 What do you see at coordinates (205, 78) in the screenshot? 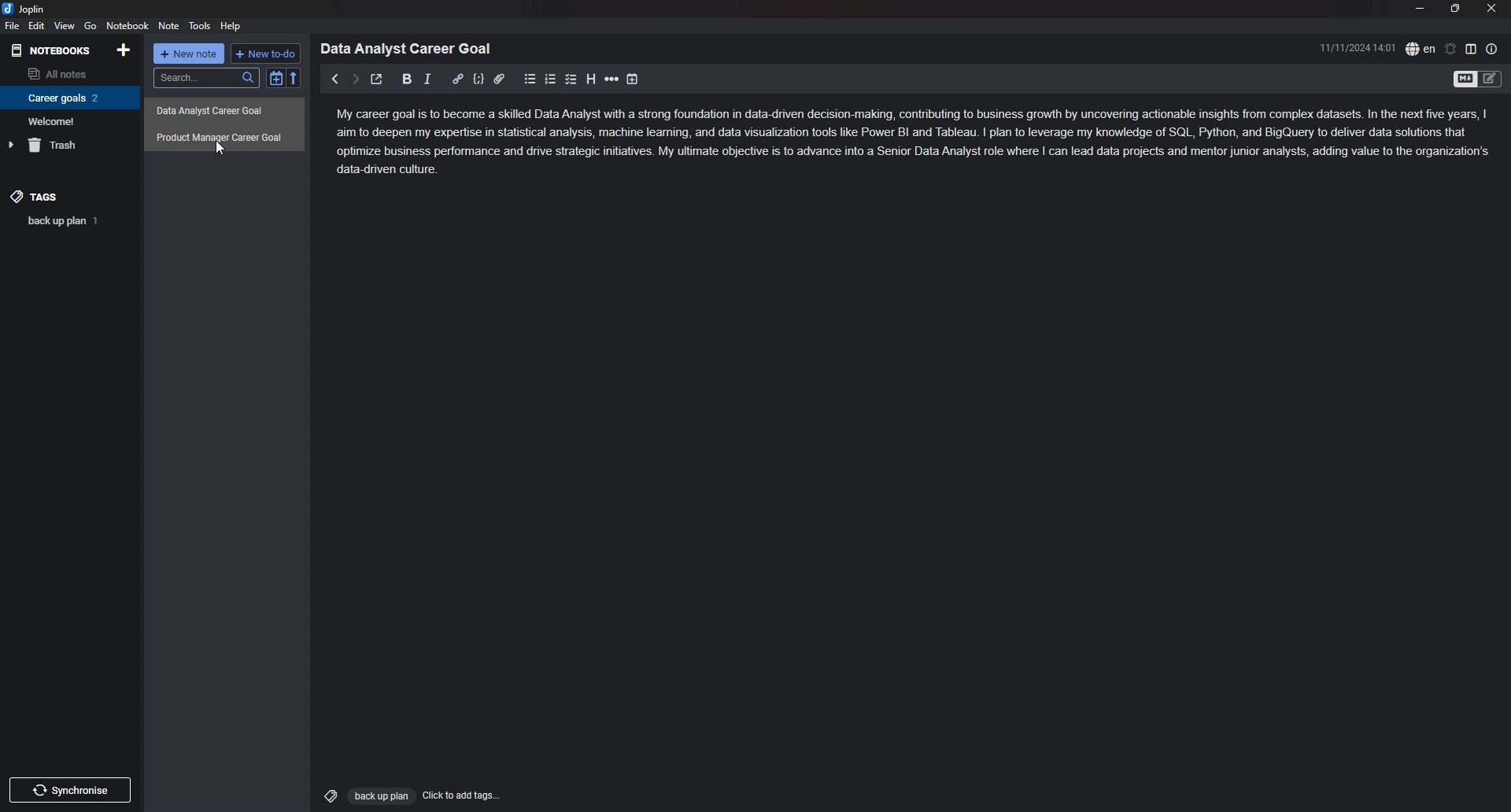
I see `search...` at bounding box center [205, 78].